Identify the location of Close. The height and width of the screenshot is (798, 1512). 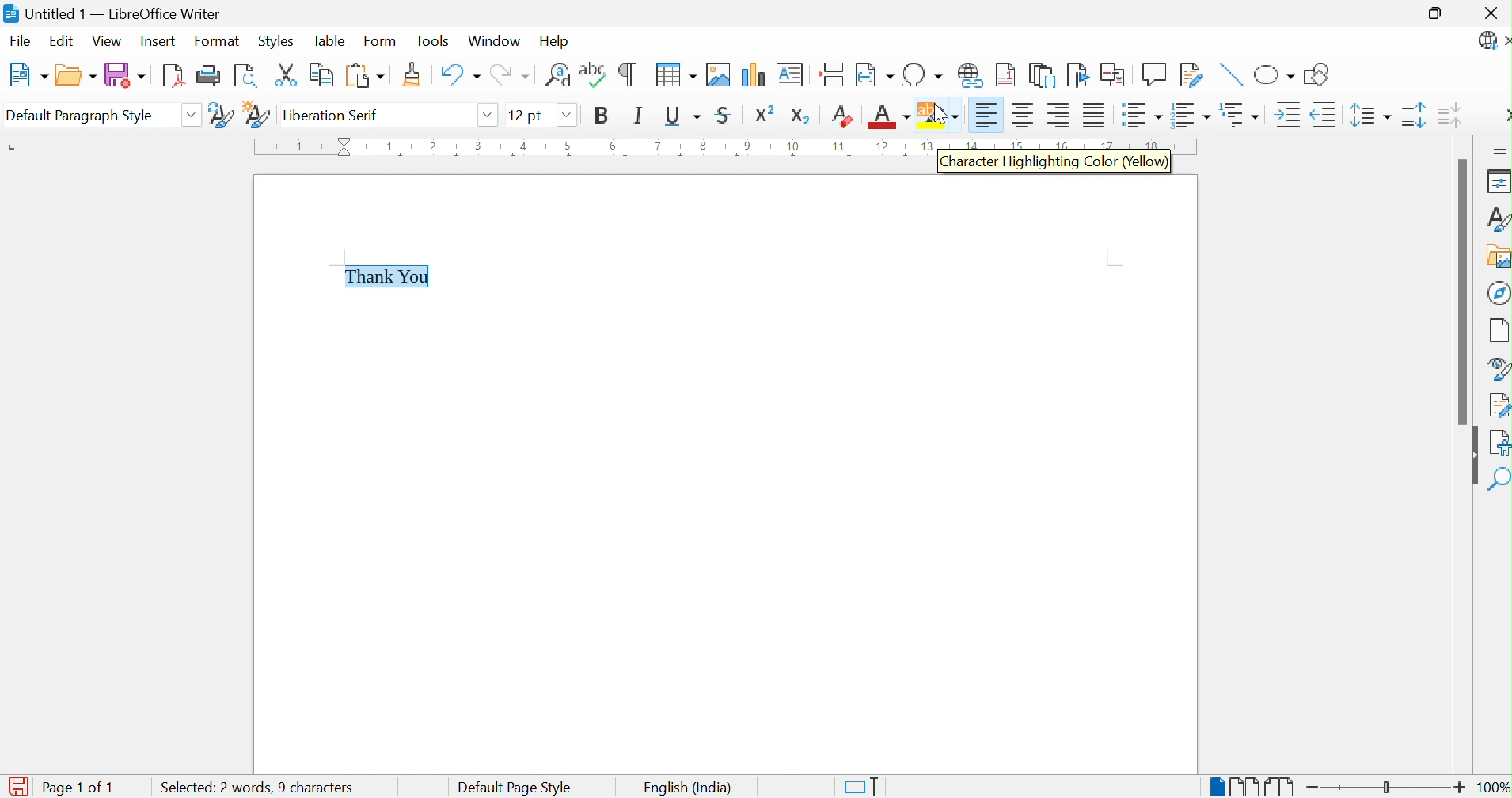
(1488, 12).